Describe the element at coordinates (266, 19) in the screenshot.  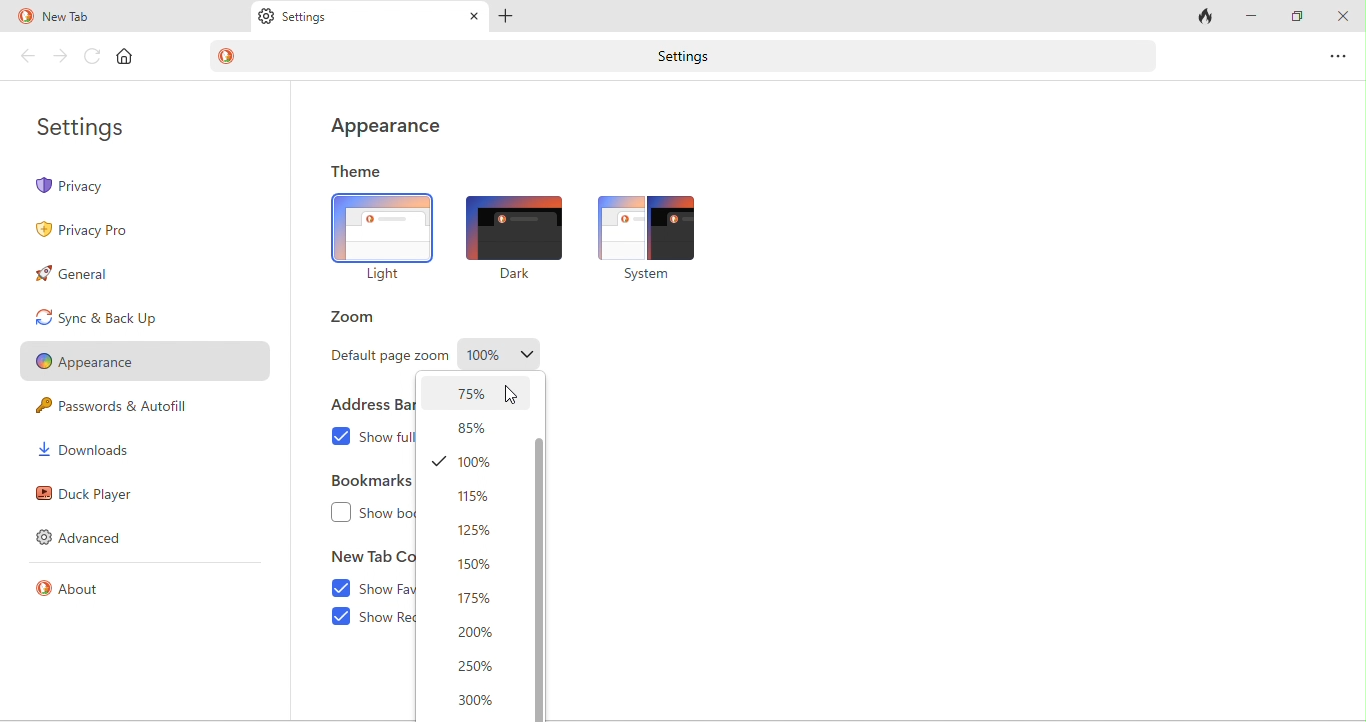
I see `settings logo` at that location.